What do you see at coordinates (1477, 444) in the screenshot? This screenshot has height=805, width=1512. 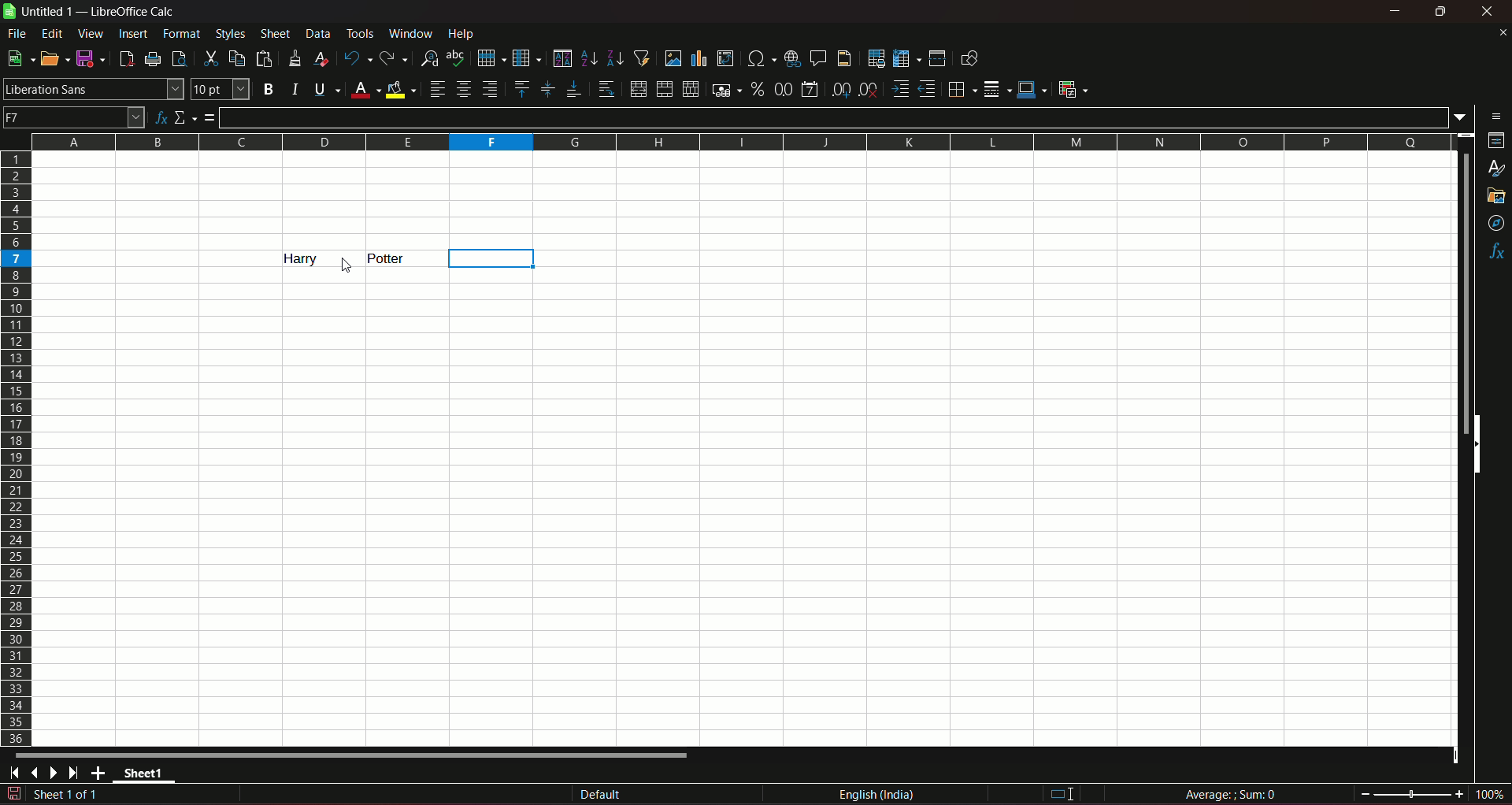 I see `side scrollbars` at bounding box center [1477, 444].